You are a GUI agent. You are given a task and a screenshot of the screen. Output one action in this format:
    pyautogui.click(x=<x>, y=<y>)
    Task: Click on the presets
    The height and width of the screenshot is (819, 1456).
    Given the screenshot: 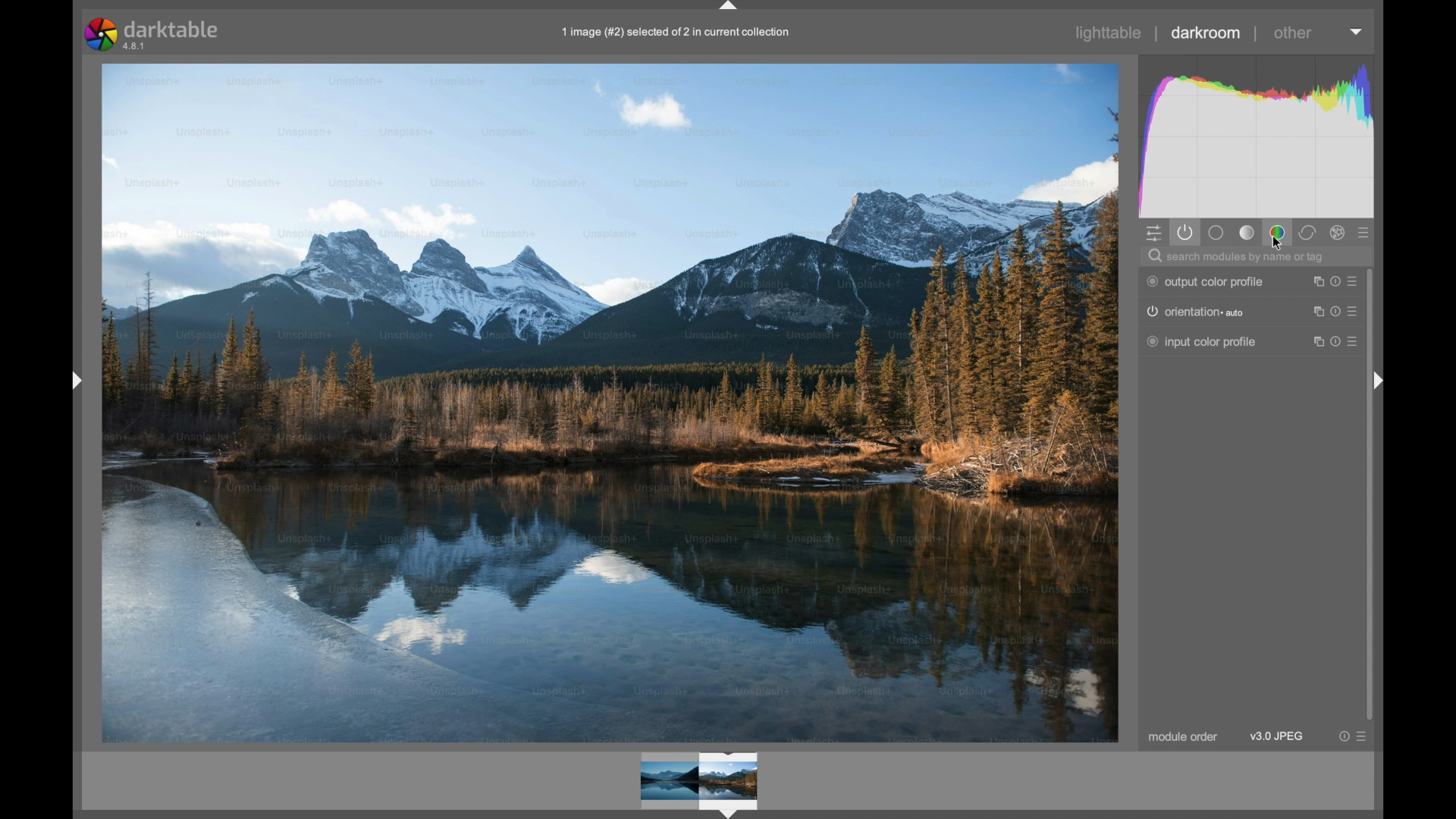 What is the action you would take?
    pyautogui.click(x=1365, y=233)
    